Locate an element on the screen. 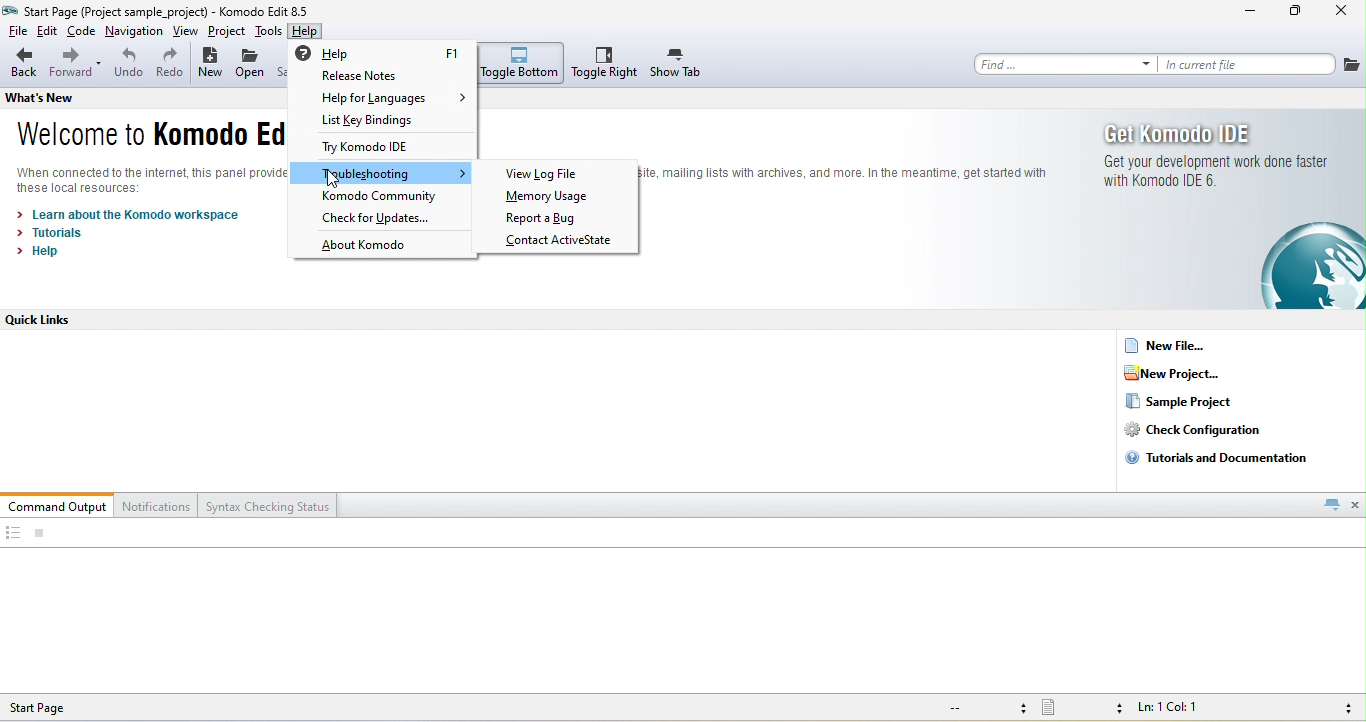  new project is located at coordinates (1185, 373).